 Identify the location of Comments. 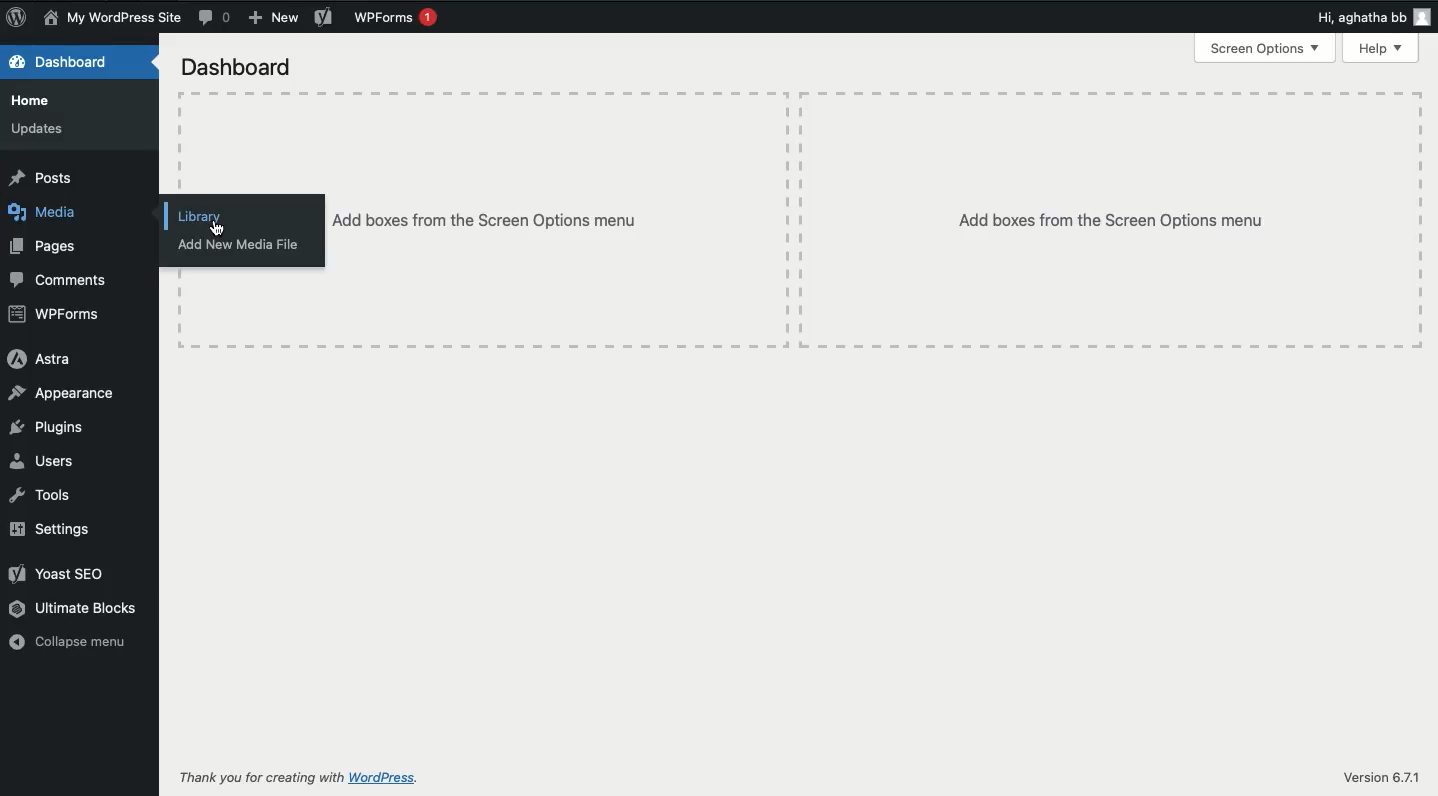
(66, 278).